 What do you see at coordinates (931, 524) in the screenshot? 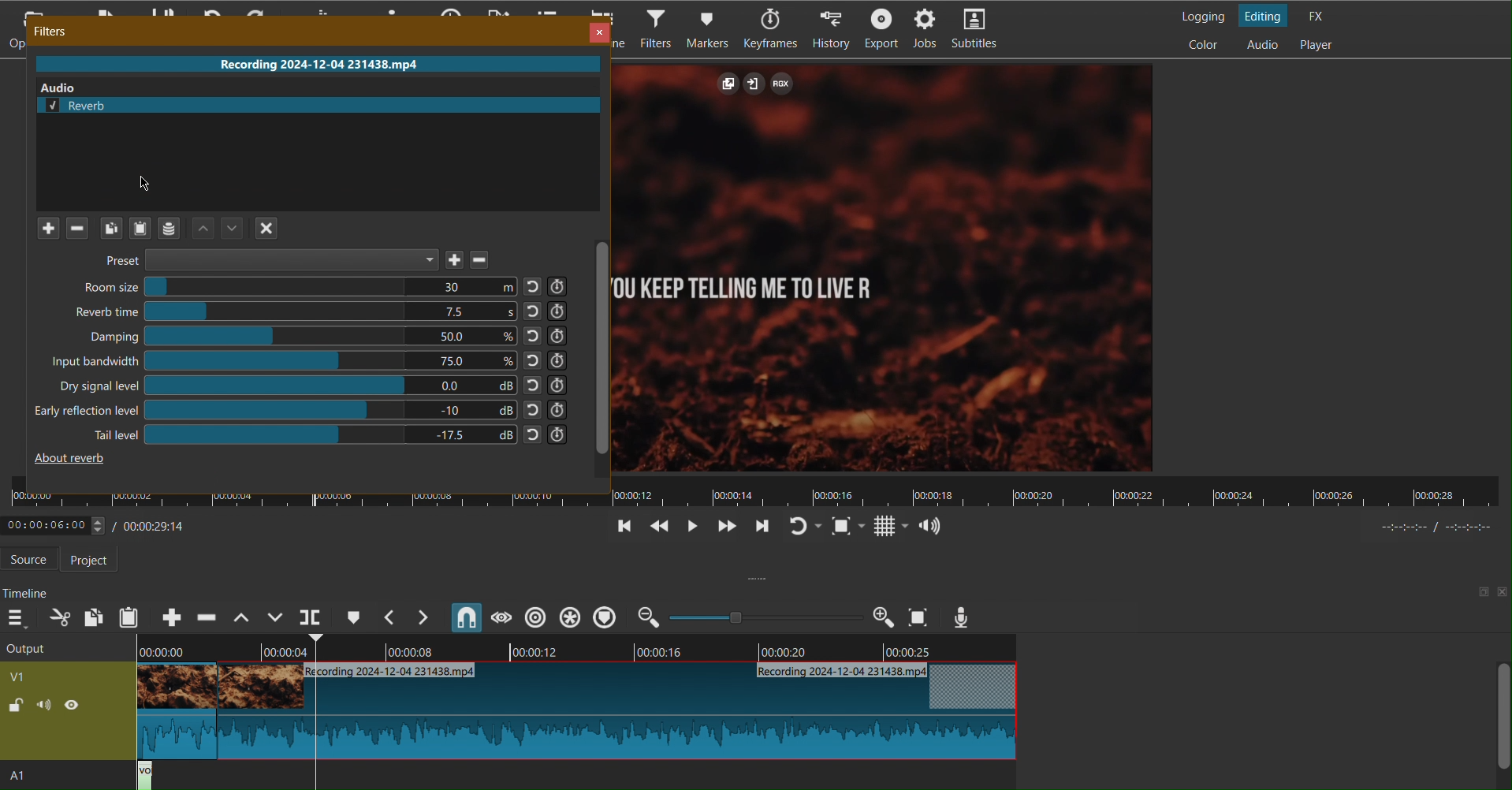
I see `Audio` at bounding box center [931, 524].